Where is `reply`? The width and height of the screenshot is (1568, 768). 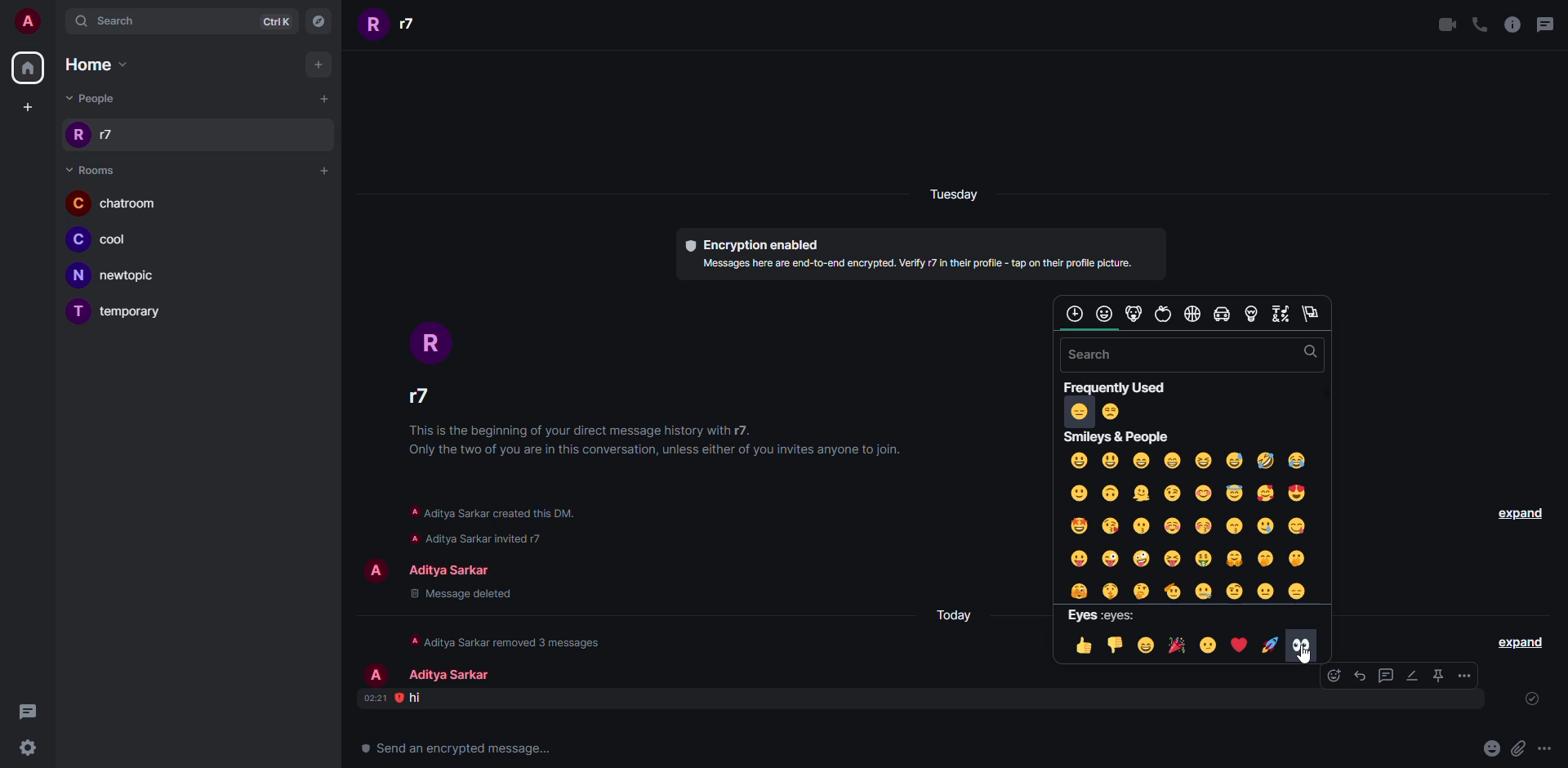 reply is located at coordinates (1361, 676).